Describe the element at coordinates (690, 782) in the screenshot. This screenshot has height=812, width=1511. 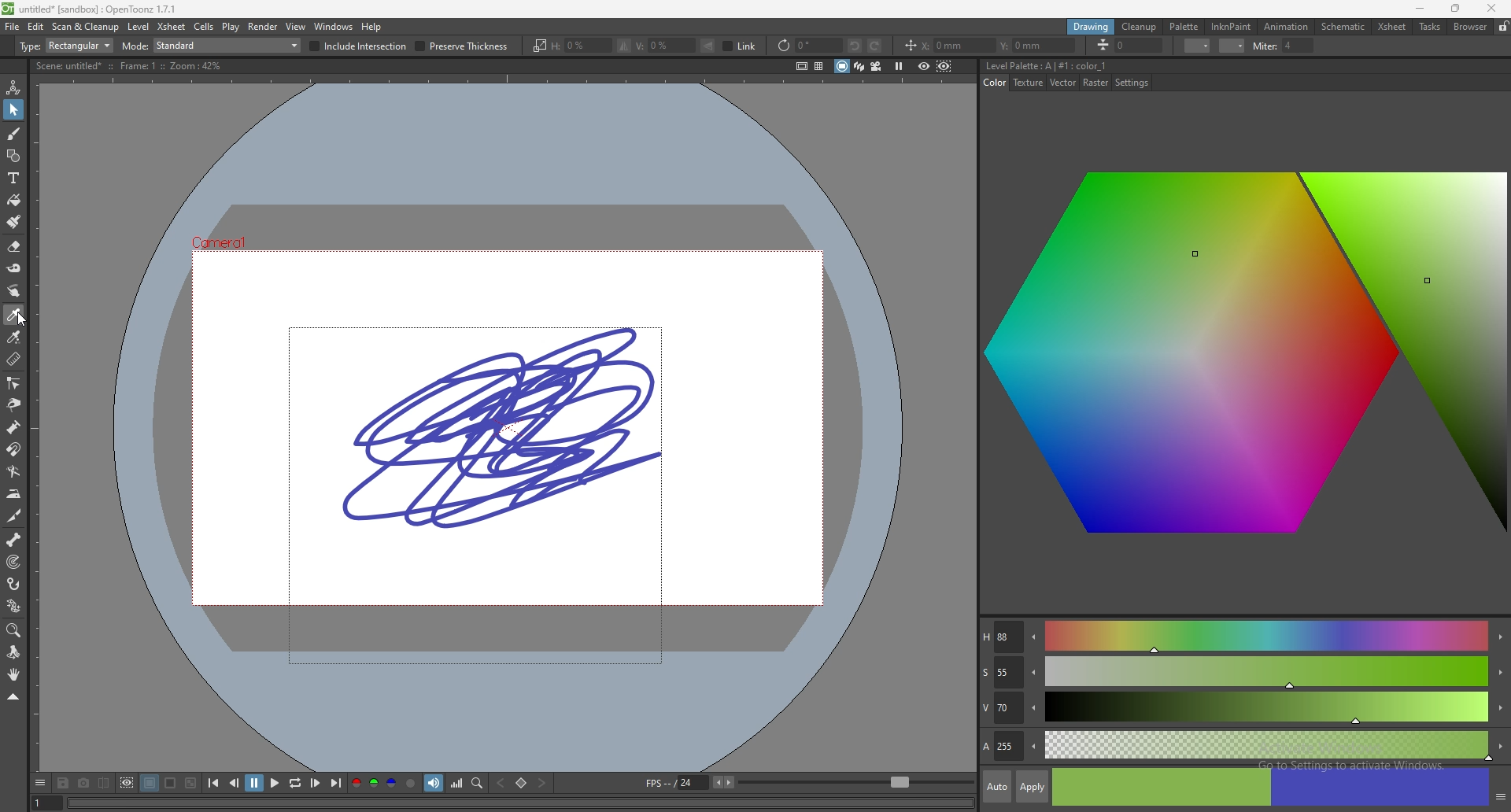
I see `fps` at that location.